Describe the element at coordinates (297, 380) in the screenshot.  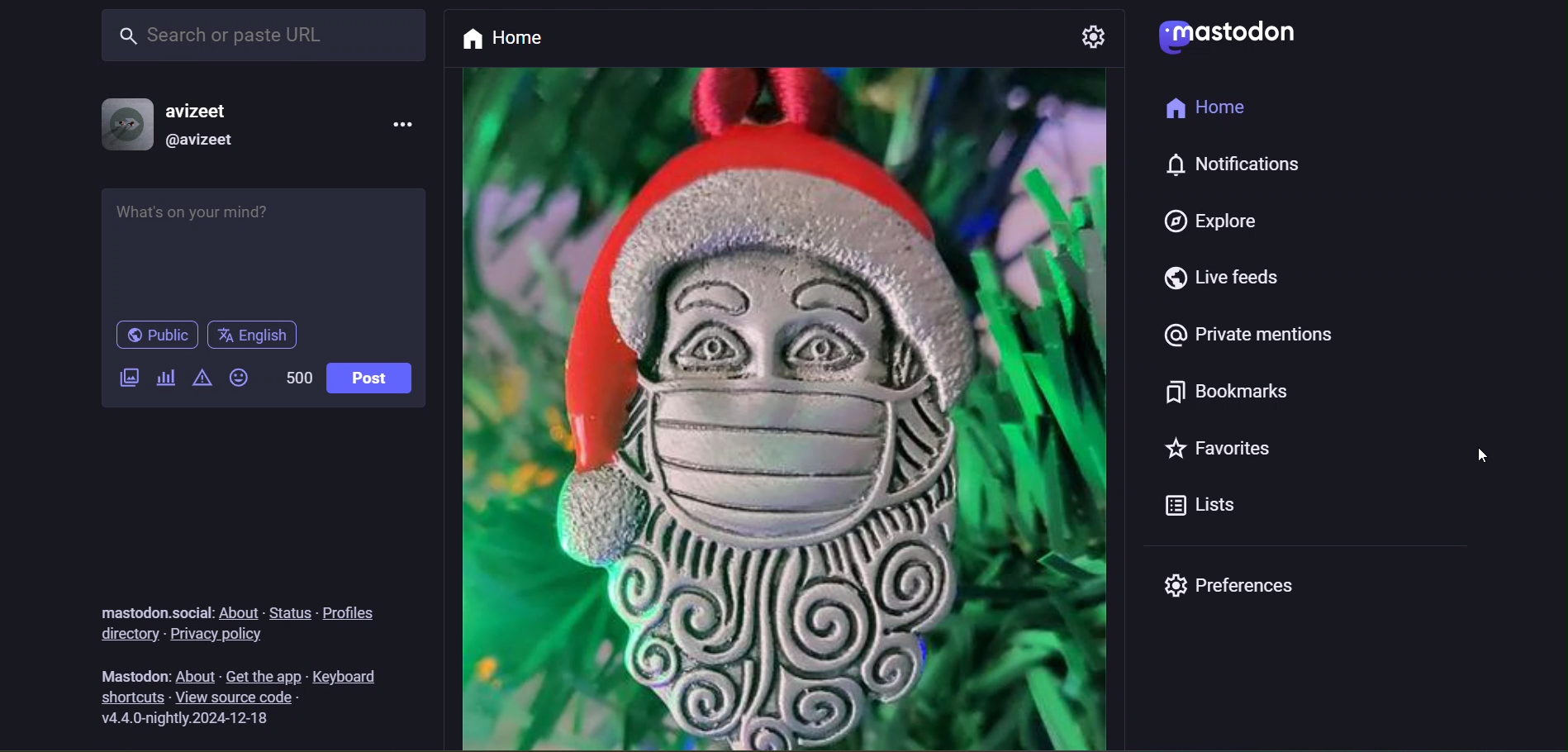
I see `word limit` at that location.